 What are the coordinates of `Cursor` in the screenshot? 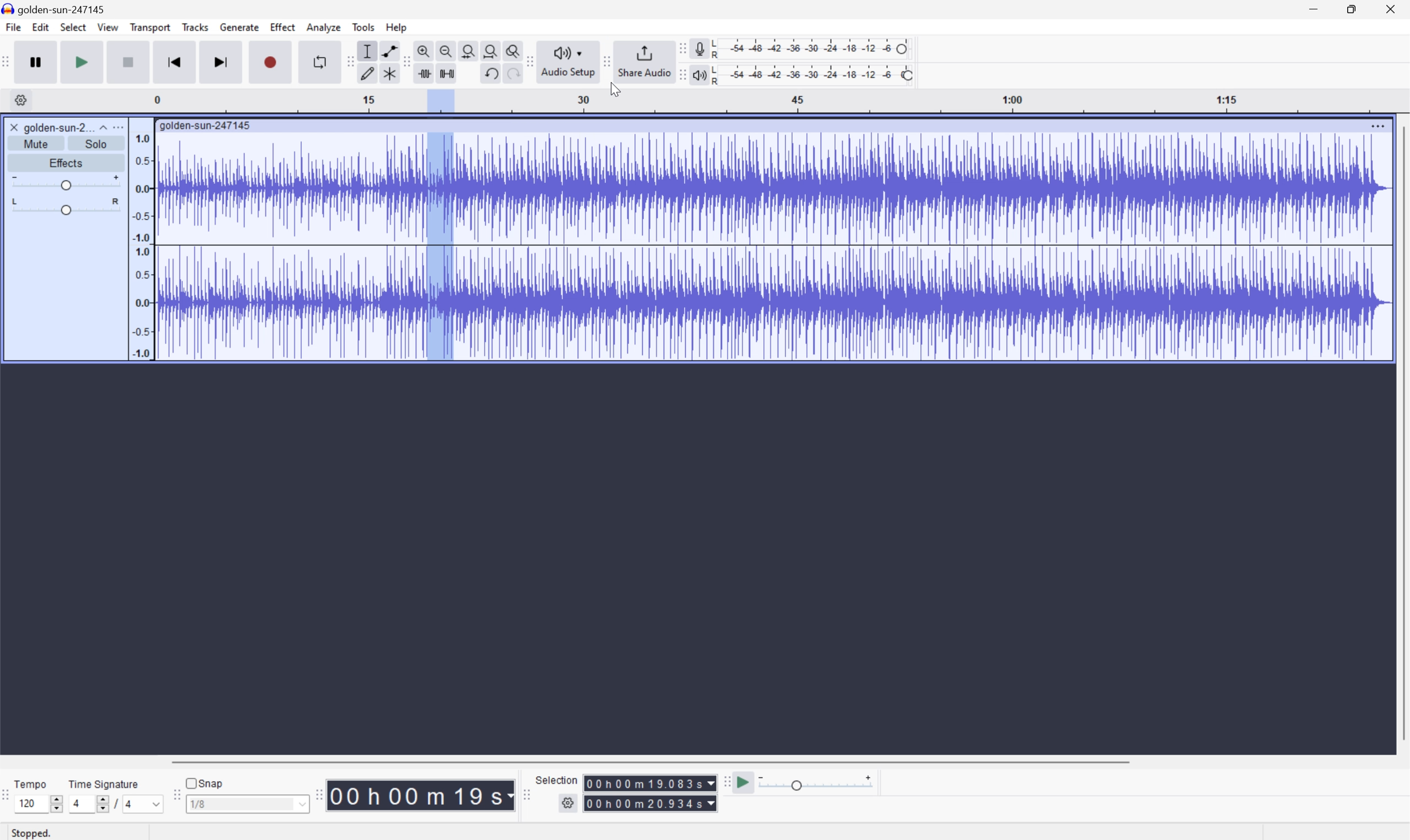 It's located at (613, 90).